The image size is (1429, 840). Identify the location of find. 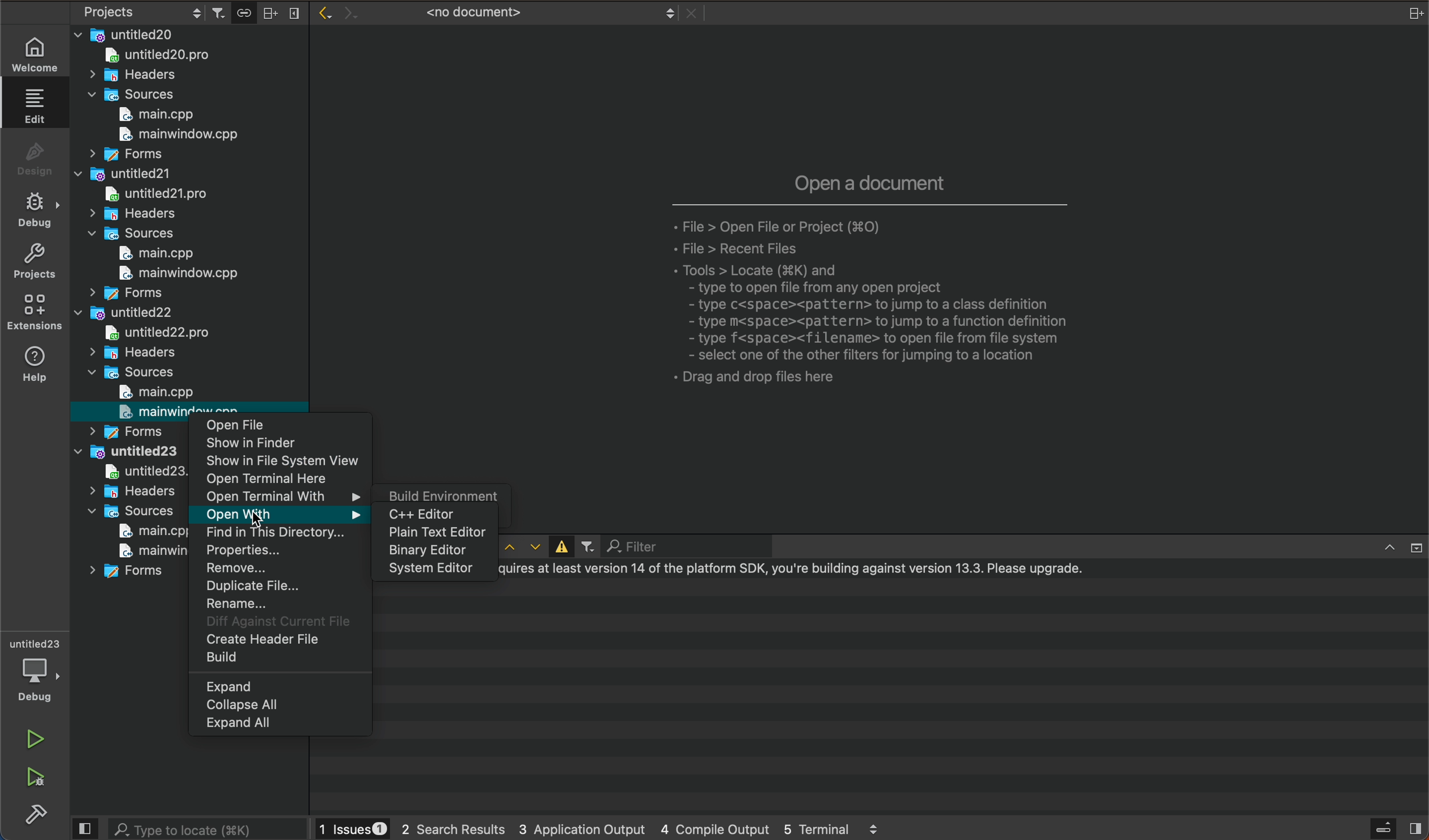
(280, 533).